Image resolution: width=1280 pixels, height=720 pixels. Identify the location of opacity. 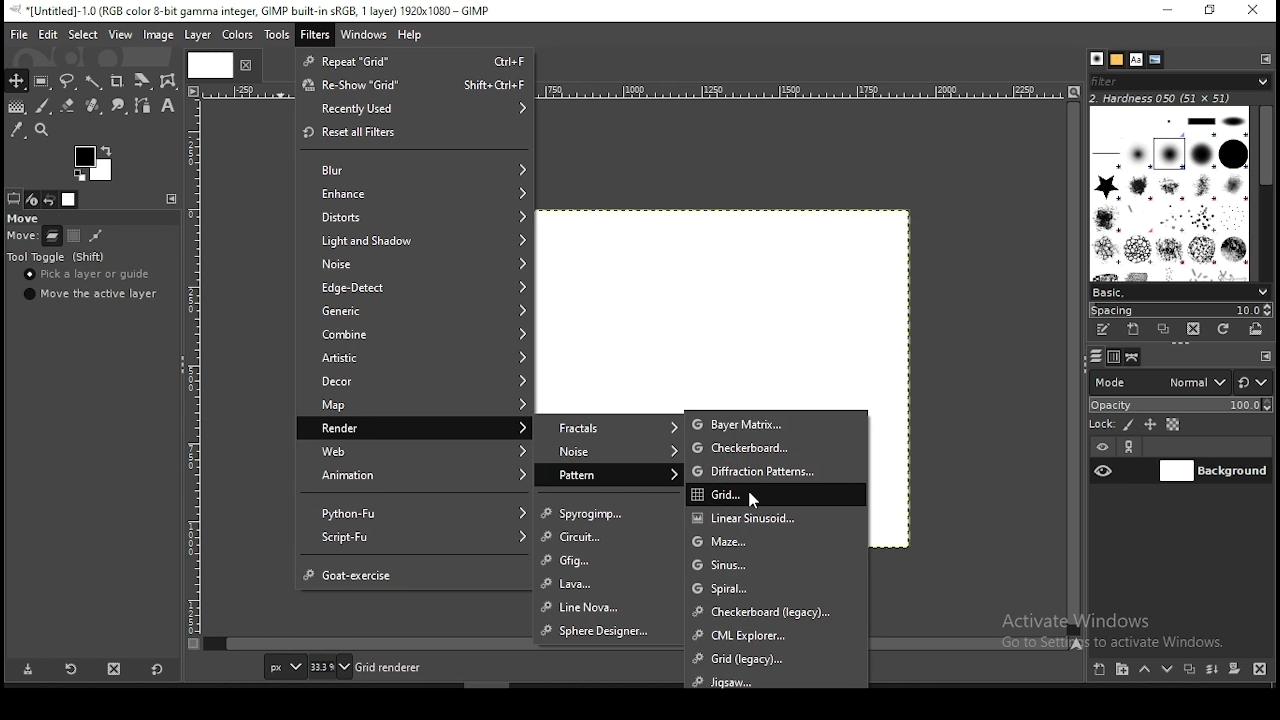
(1183, 405).